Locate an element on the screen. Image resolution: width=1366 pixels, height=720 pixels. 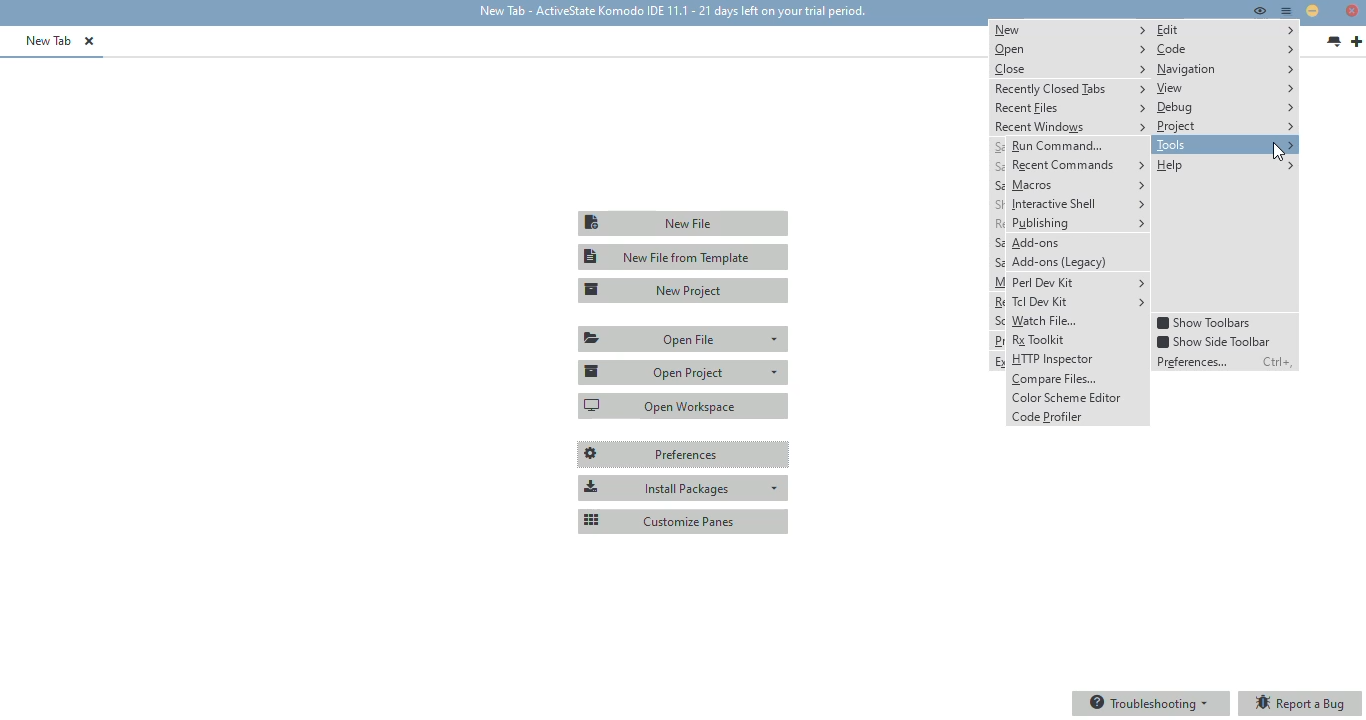
open is located at coordinates (1069, 49).